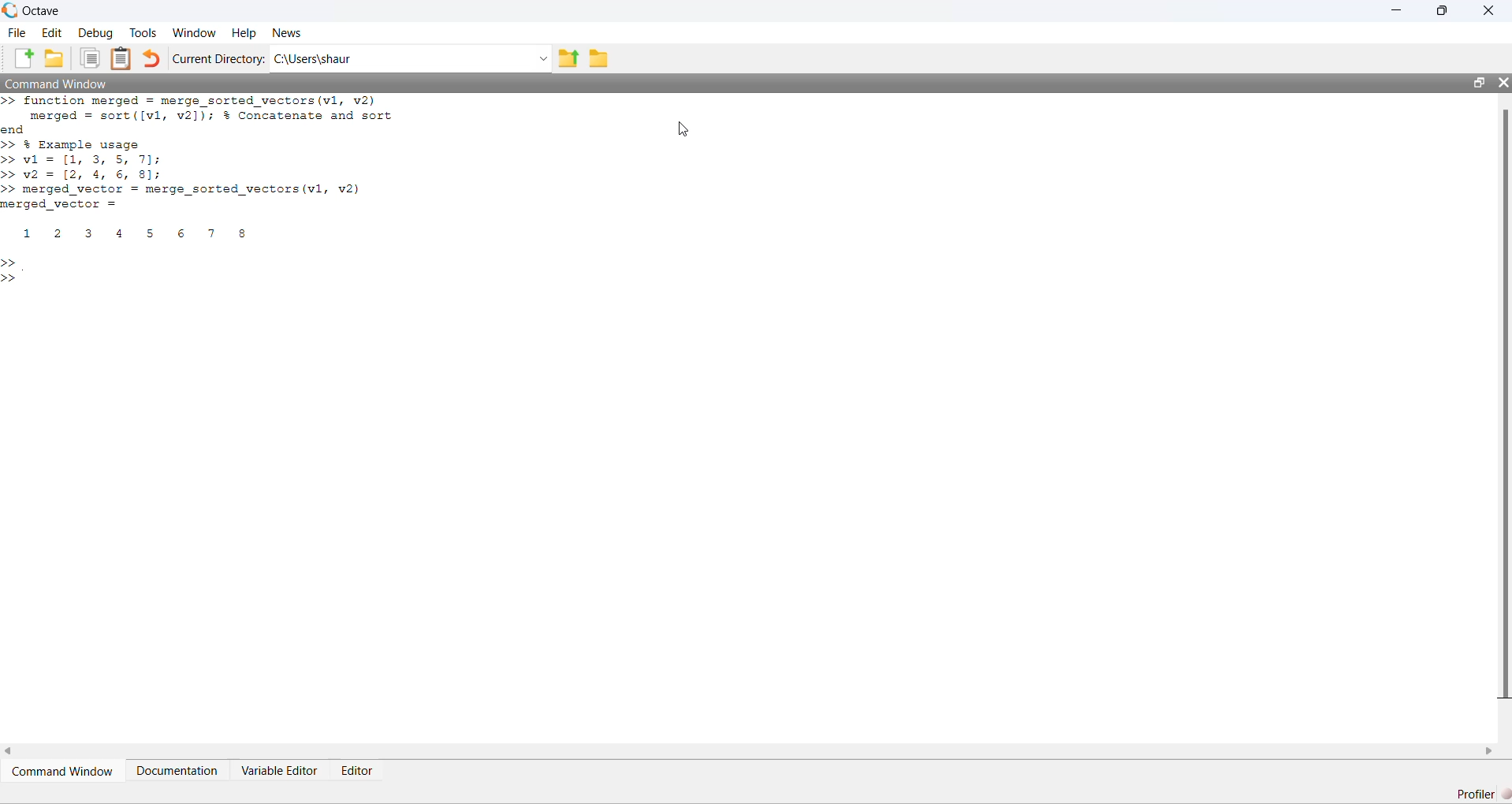  Describe the element at coordinates (598, 59) in the screenshot. I see `folder` at that location.